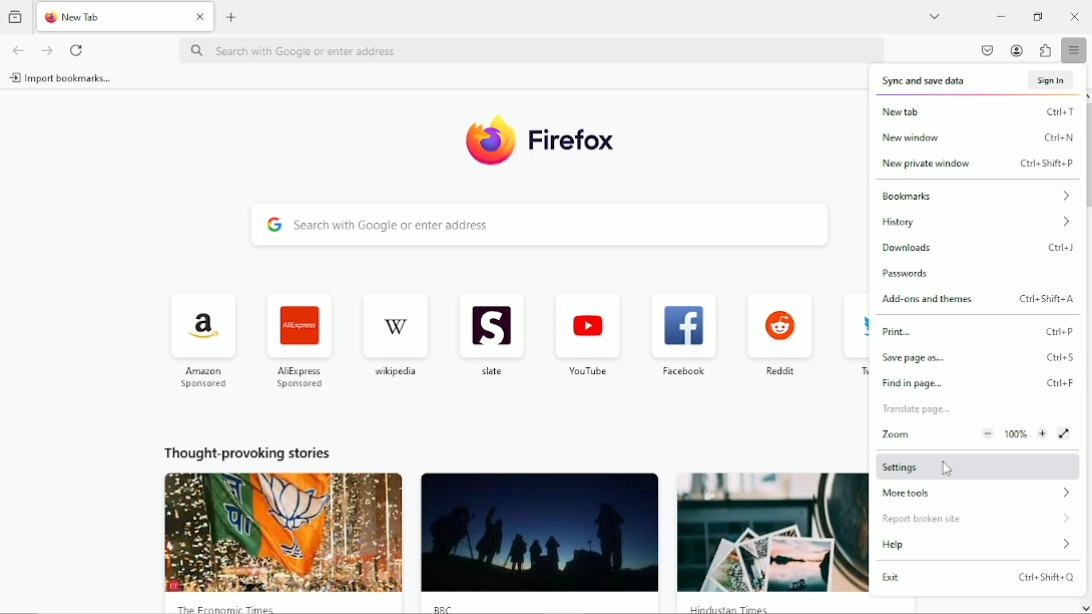  I want to click on find in page, so click(920, 385).